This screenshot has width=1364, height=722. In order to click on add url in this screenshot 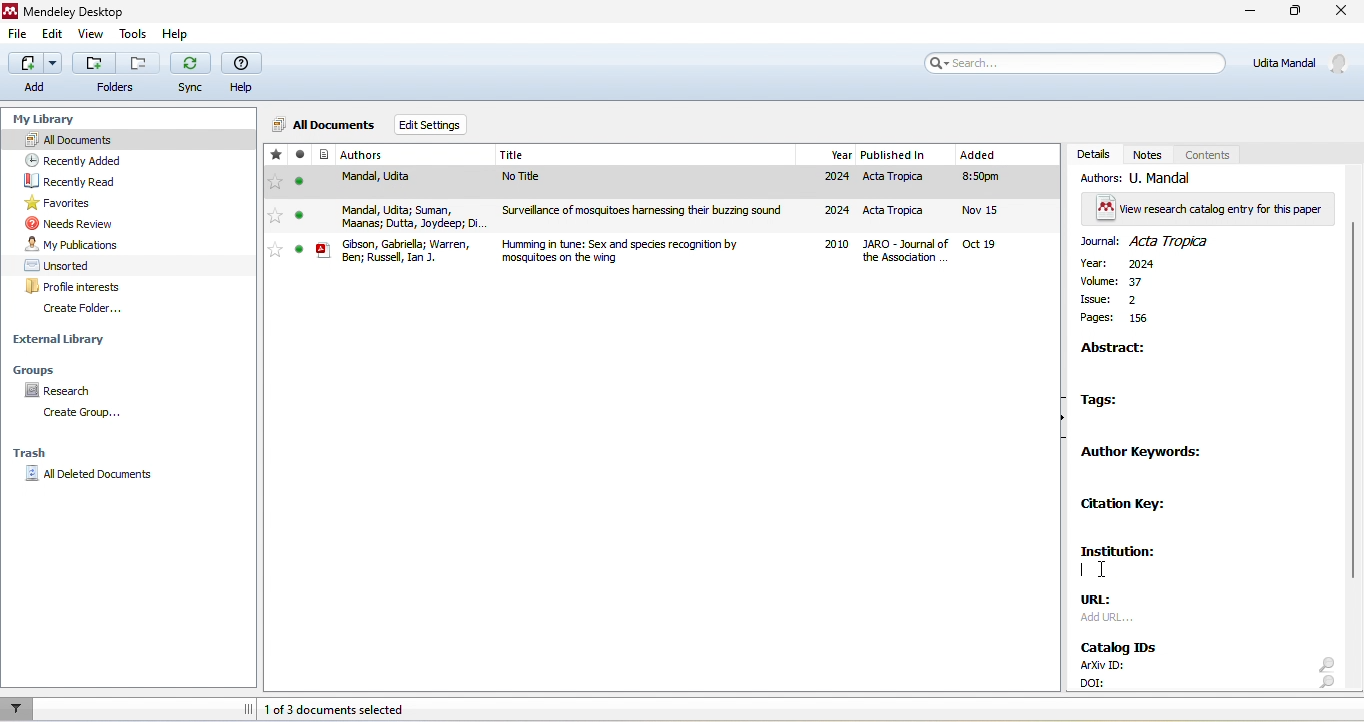, I will do `click(1110, 622)`.